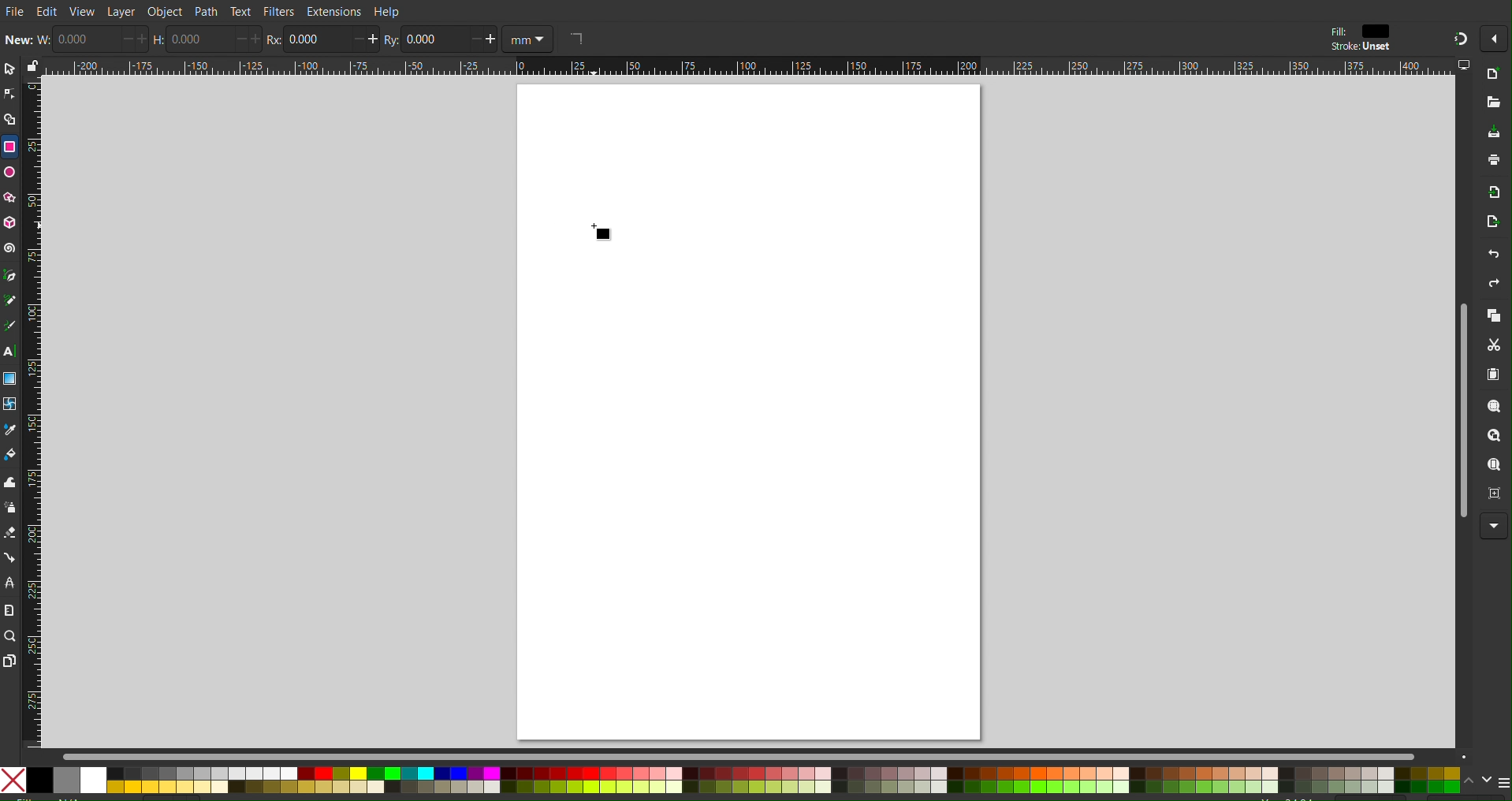  What do you see at coordinates (9, 248) in the screenshot?
I see `Spiral` at bounding box center [9, 248].